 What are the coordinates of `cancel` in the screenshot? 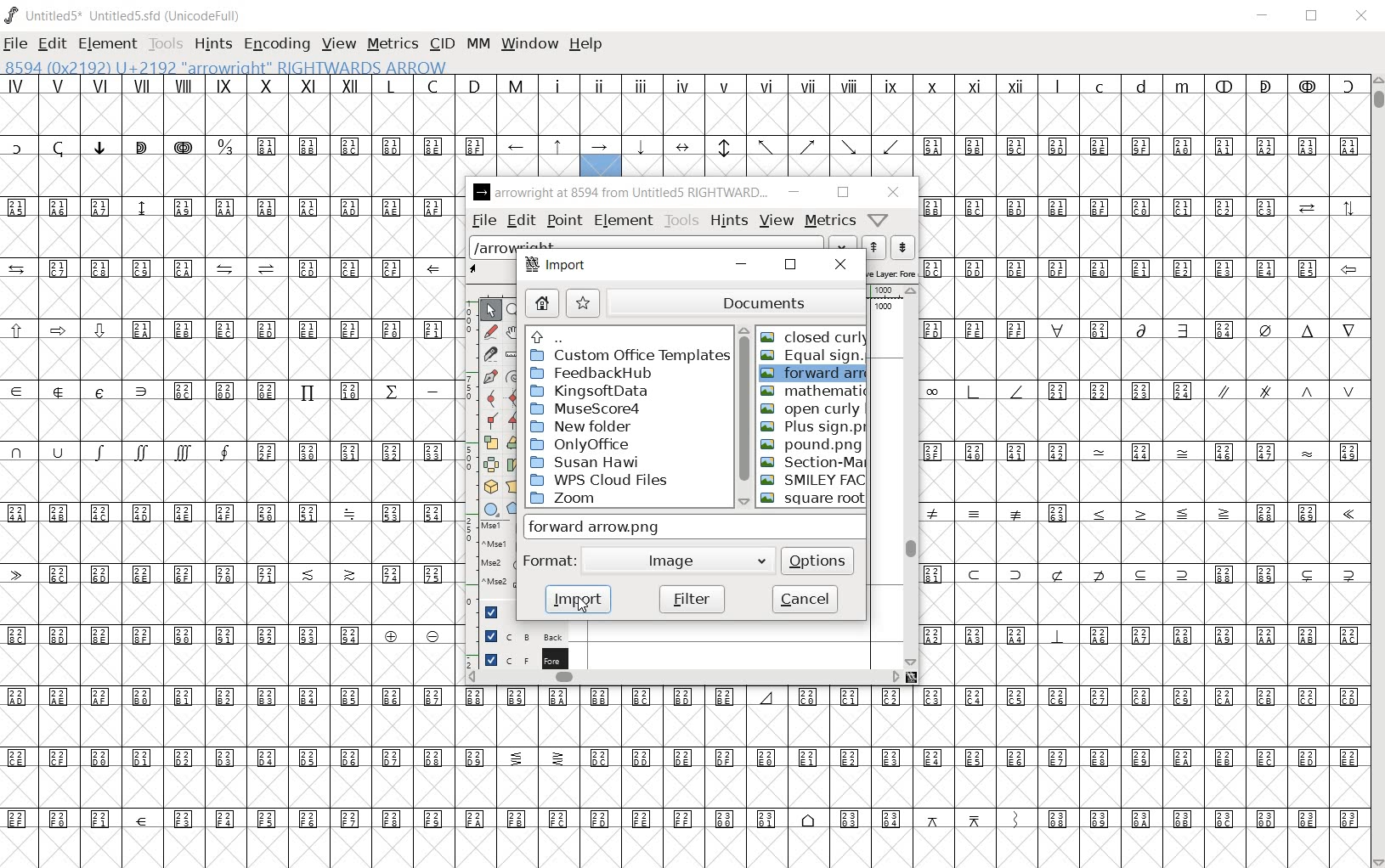 It's located at (806, 600).